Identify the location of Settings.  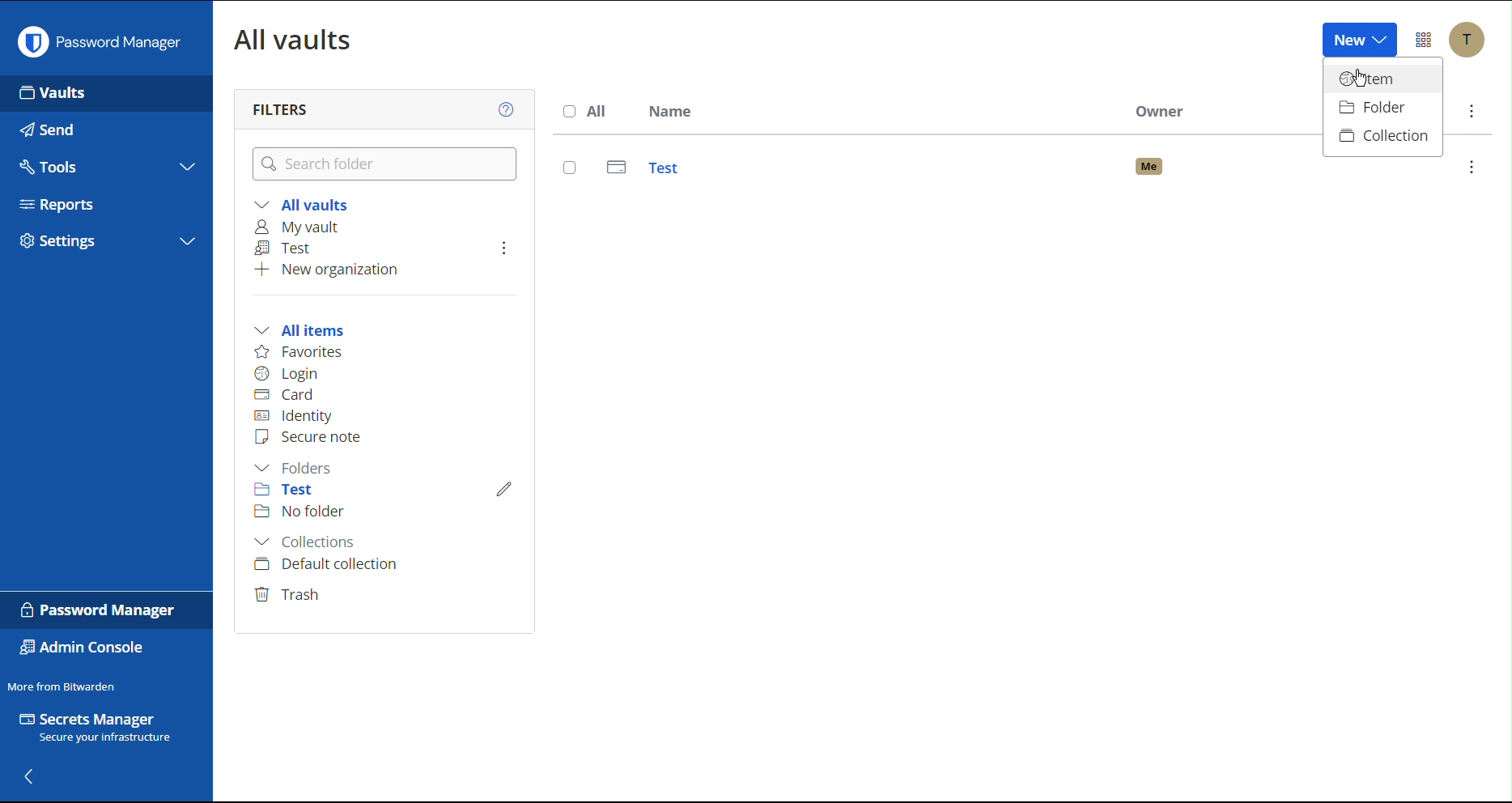
(105, 240).